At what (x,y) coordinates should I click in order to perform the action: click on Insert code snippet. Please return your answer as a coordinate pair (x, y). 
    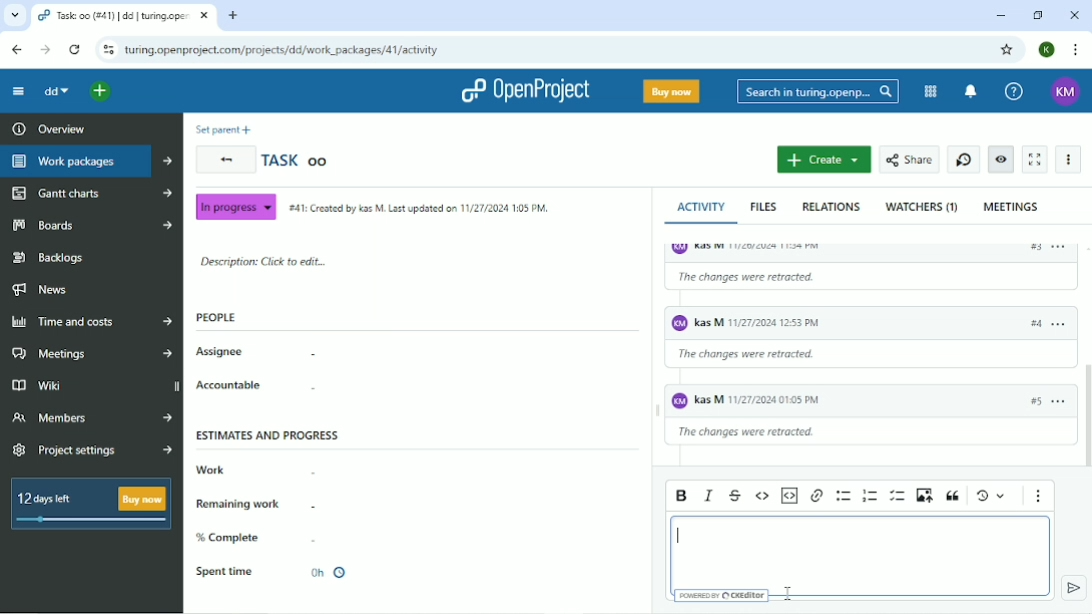
    Looking at the image, I should click on (789, 496).